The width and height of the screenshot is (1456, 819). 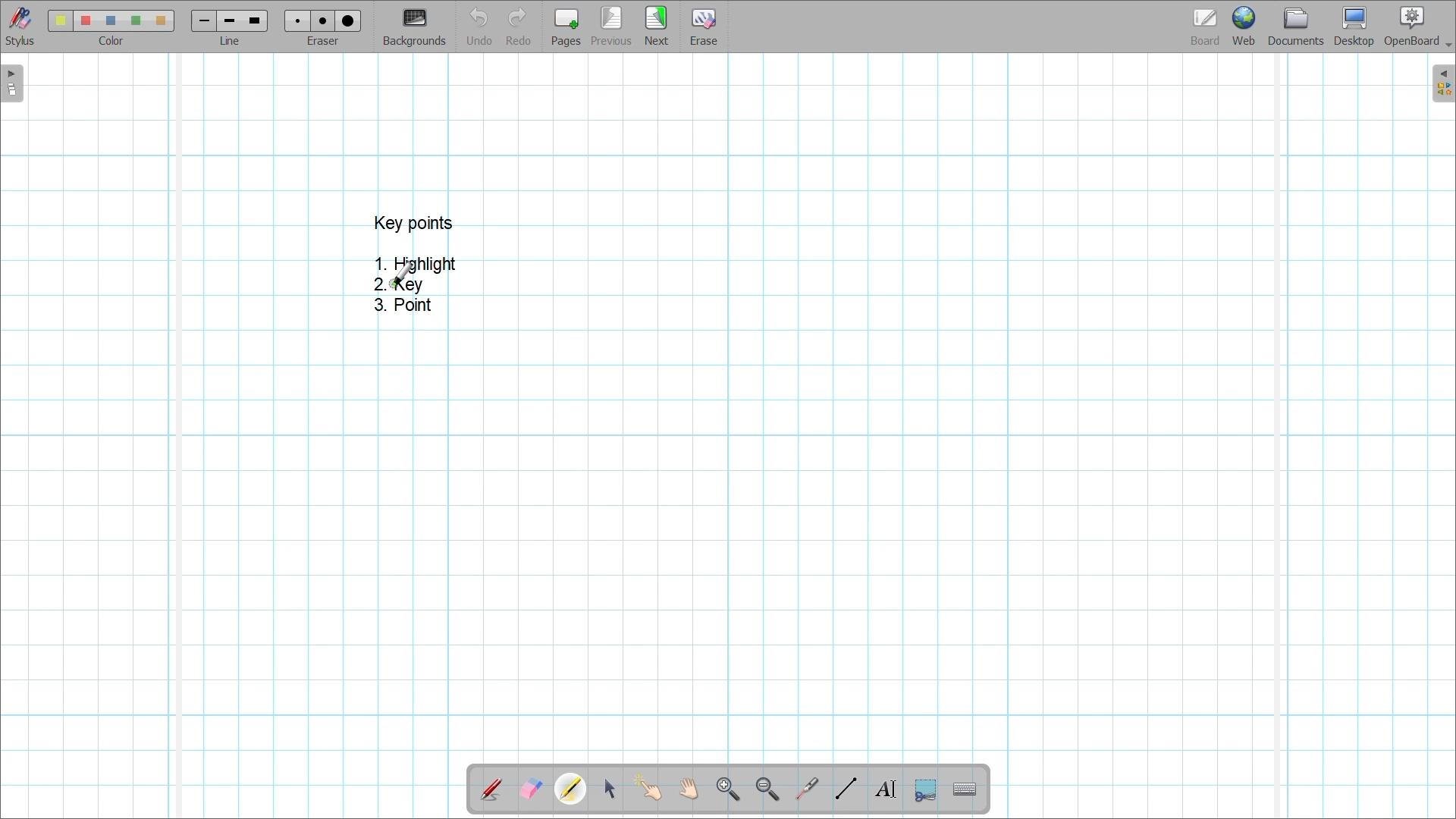 I want to click on Cursor over point 2, so click(x=402, y=274).